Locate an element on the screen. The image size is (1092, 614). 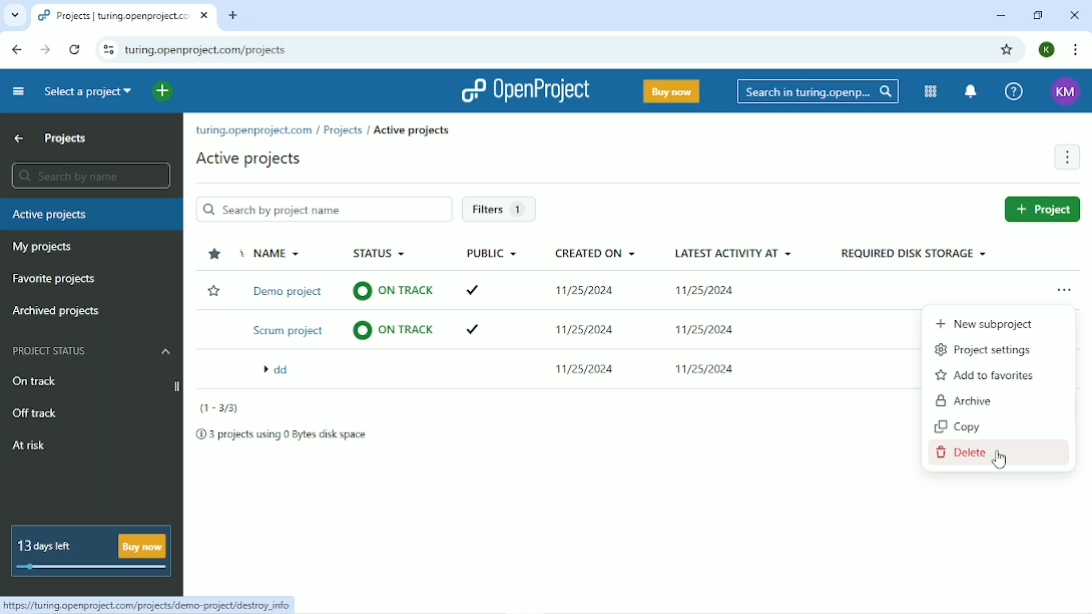
Up is located at coordinates (19, 139).